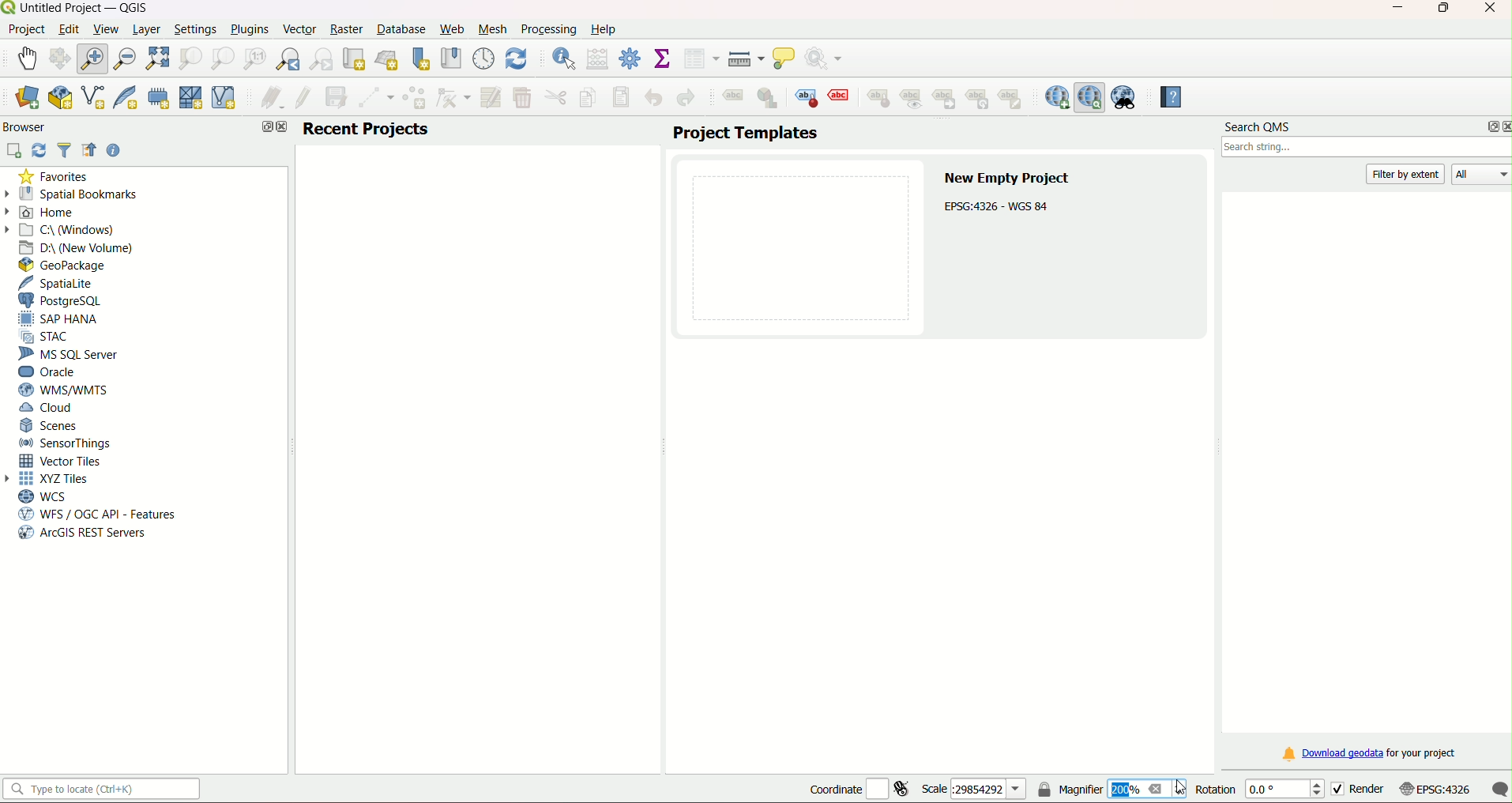 This screenshot has width=1512, height=803. Describe the element at coordinates (79, 247) in the screenshot. I see `D:\ (New volume)` at that location.